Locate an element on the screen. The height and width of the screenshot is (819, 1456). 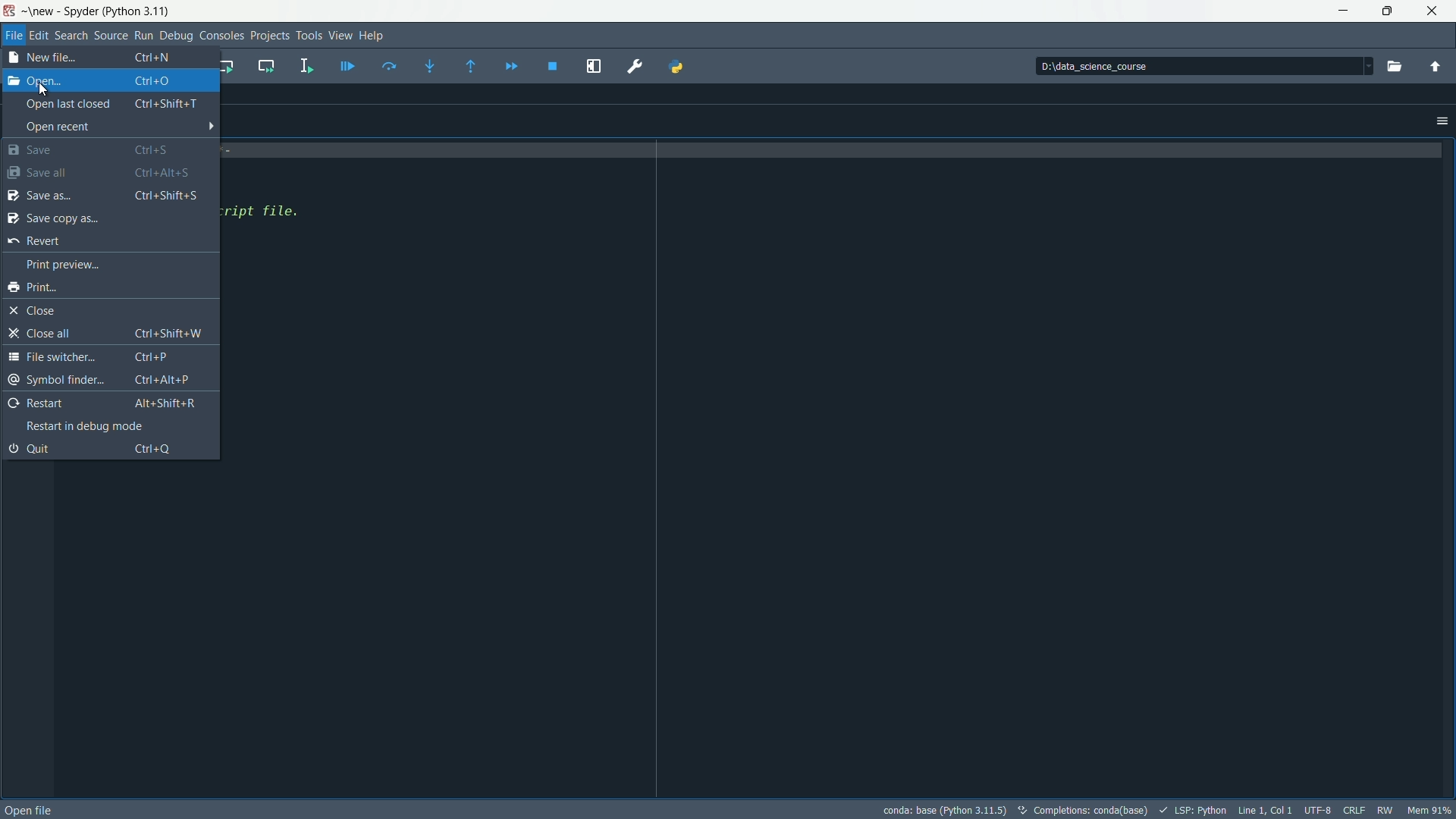
python interpretor is located at coordinates (947, 810).